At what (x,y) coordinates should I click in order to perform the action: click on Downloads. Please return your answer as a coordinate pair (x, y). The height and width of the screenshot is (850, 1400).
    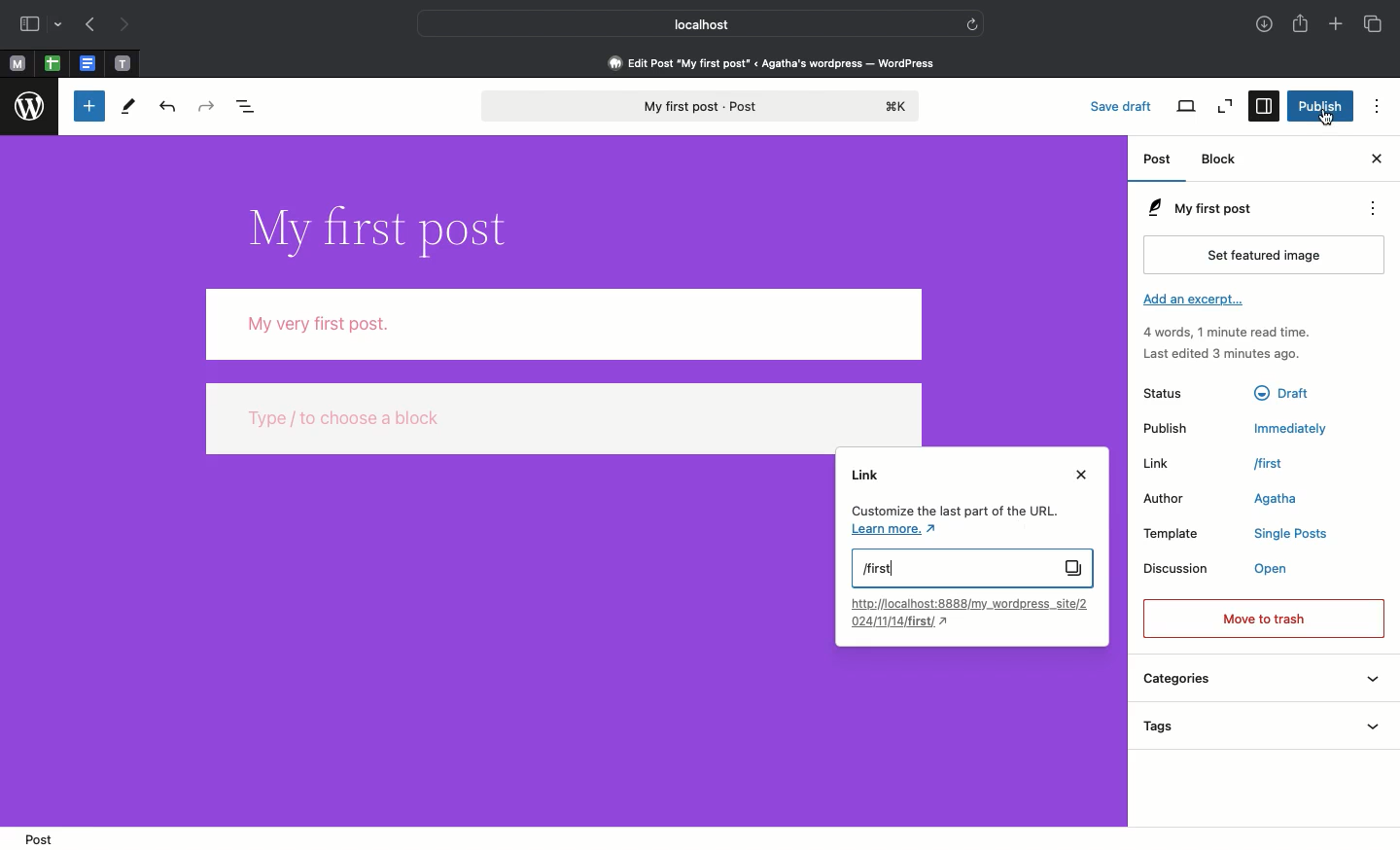
    Looking at the image, I should click on (1264, 24).